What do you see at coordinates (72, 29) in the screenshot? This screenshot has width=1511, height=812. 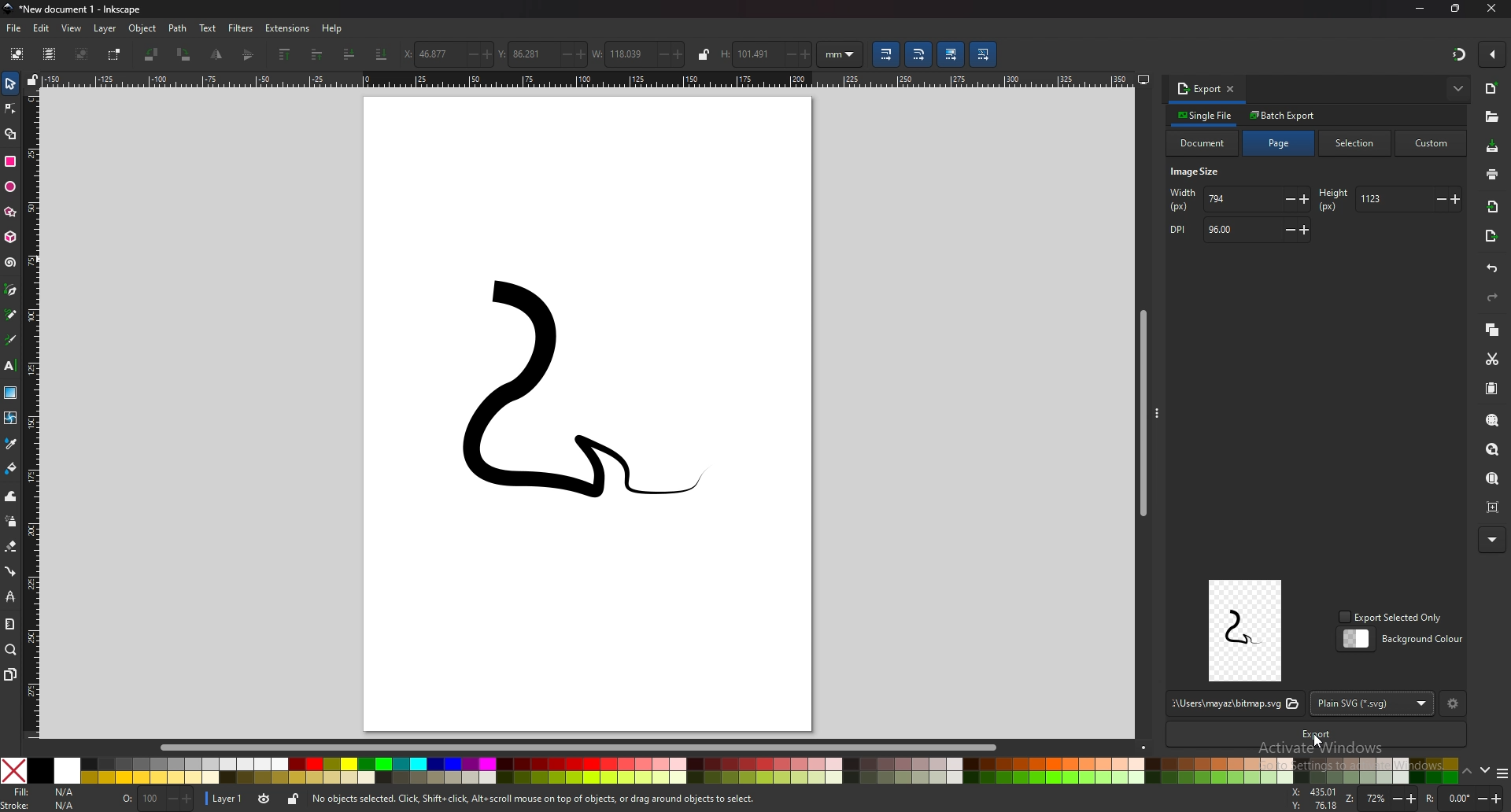 I see `view` at bounding box center [72, 29].